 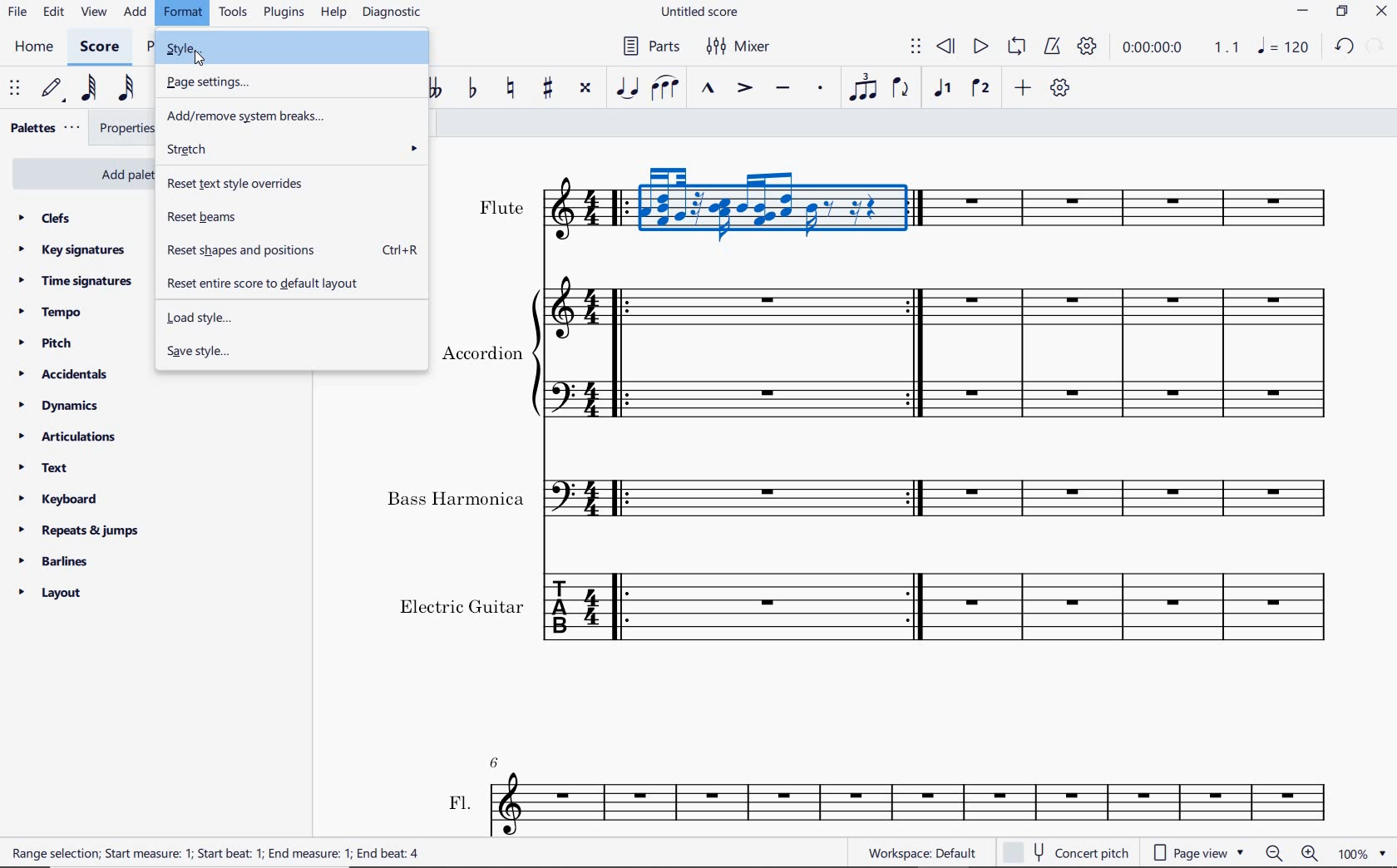 What do you see at coordinates (91, 12) in the screenshot?
I see `view` at bounding box center [91, 12].